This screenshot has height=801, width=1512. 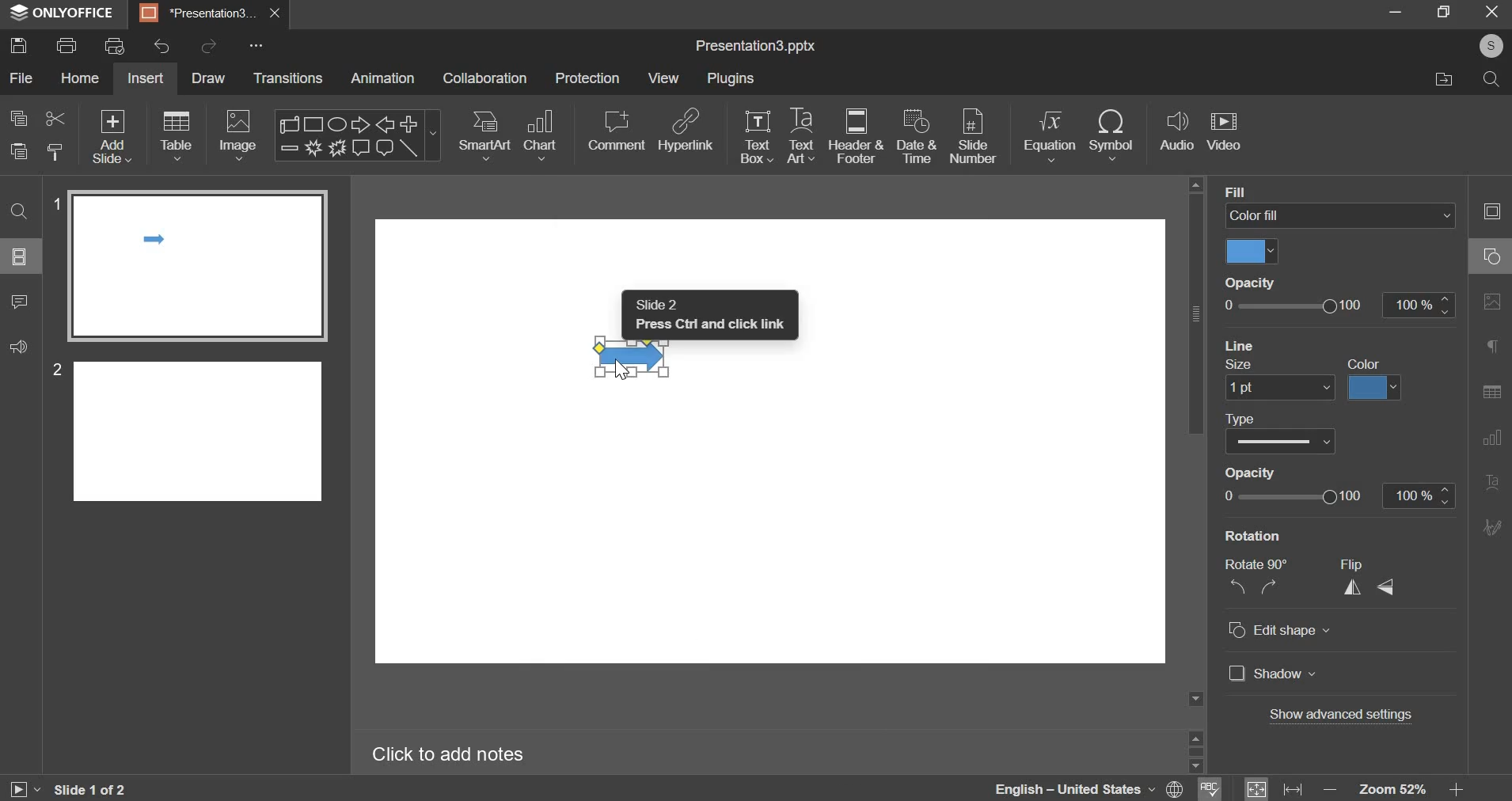 What do you see at coordinates (145, 78) in the screenshot?
I see `insert` at bounding box center [145, 78].